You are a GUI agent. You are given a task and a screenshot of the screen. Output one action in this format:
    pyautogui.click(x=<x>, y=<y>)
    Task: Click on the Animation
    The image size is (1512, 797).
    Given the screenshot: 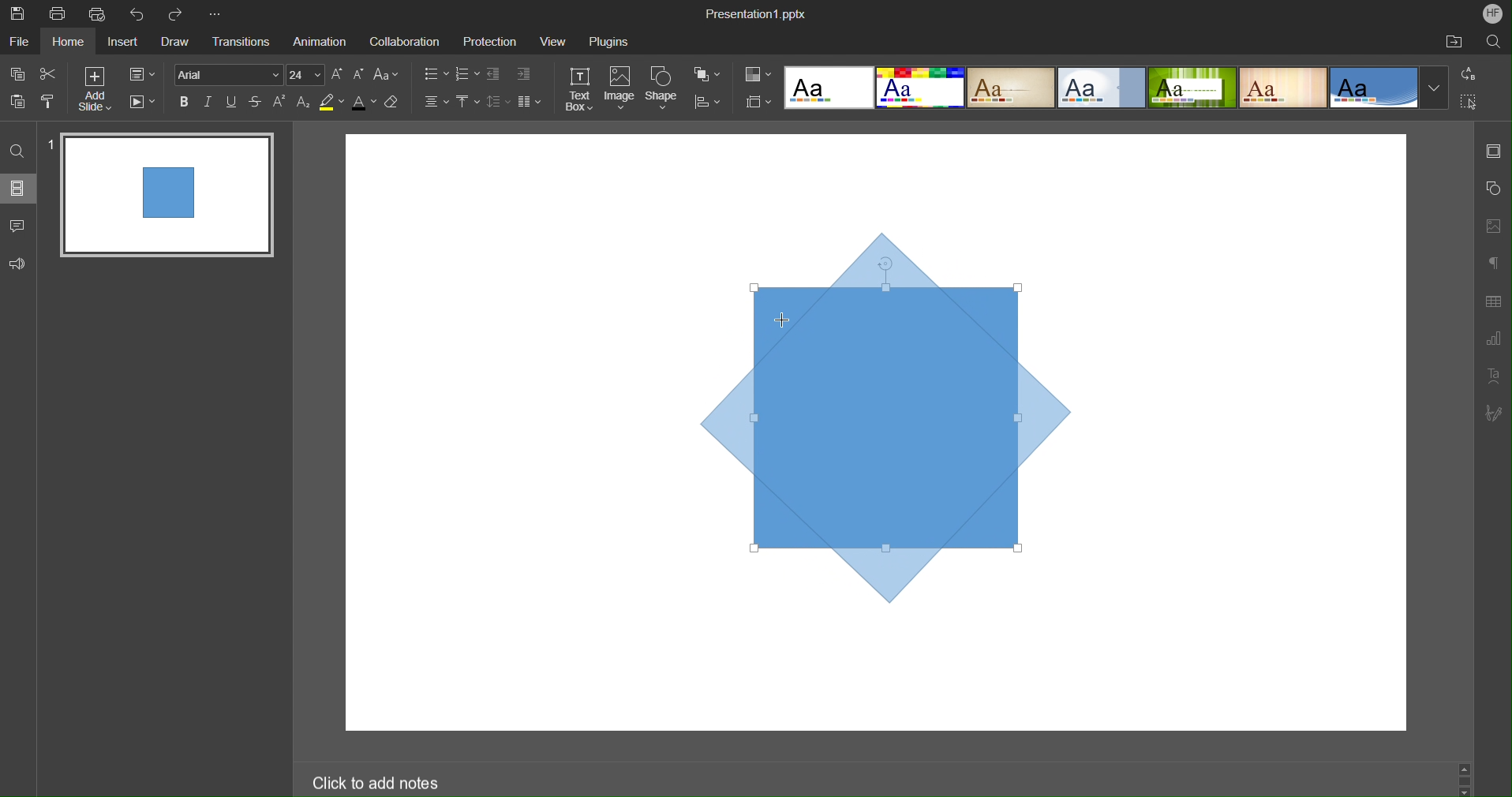 What is the action you would take?
    pyautogui.click(x=318, y=39)
    